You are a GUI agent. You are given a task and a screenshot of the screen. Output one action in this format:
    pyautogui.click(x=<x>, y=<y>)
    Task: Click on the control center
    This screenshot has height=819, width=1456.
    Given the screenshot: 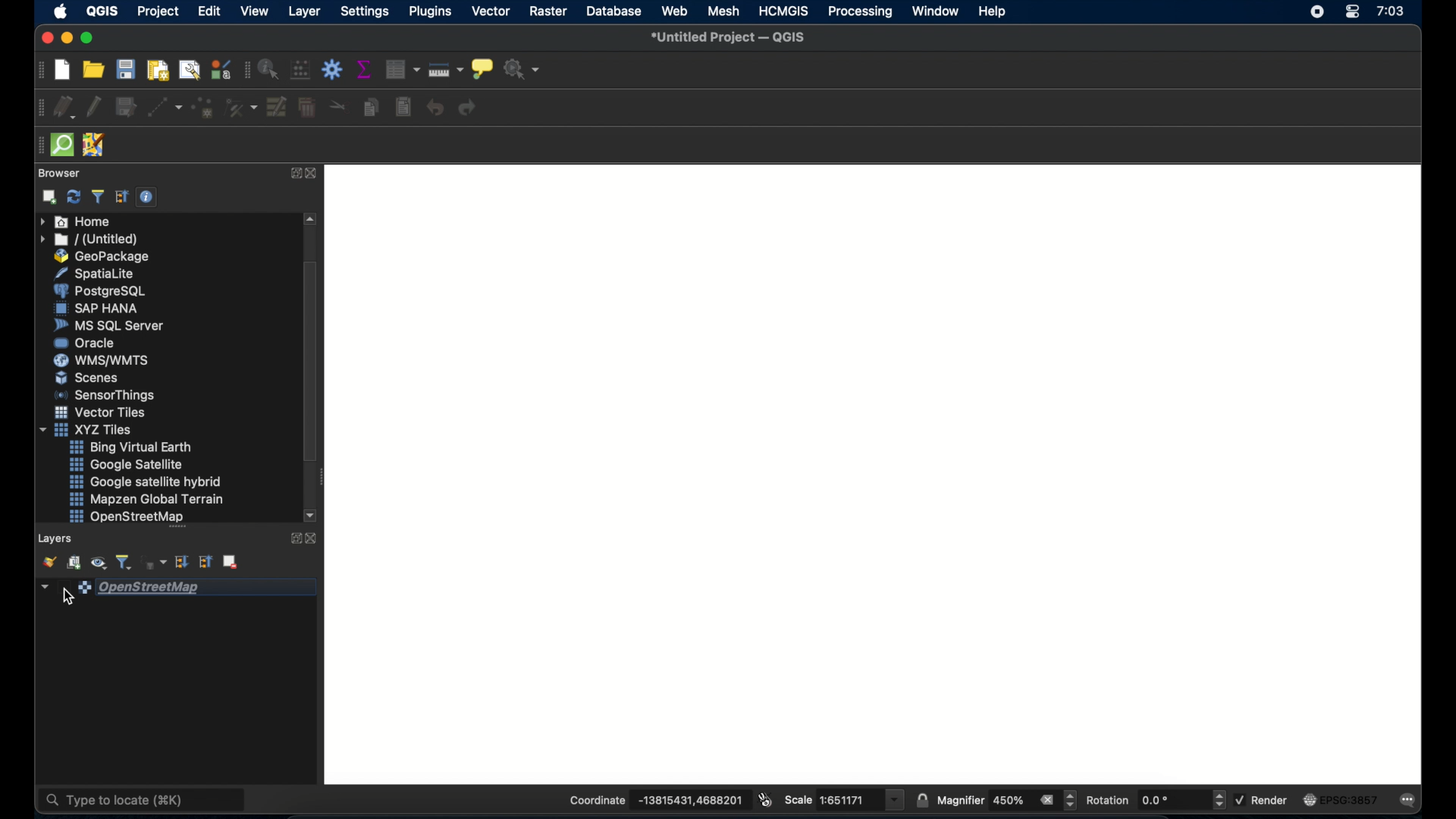 What is the action you would take?
    pyautogui.click(x=1353, y=11)
    